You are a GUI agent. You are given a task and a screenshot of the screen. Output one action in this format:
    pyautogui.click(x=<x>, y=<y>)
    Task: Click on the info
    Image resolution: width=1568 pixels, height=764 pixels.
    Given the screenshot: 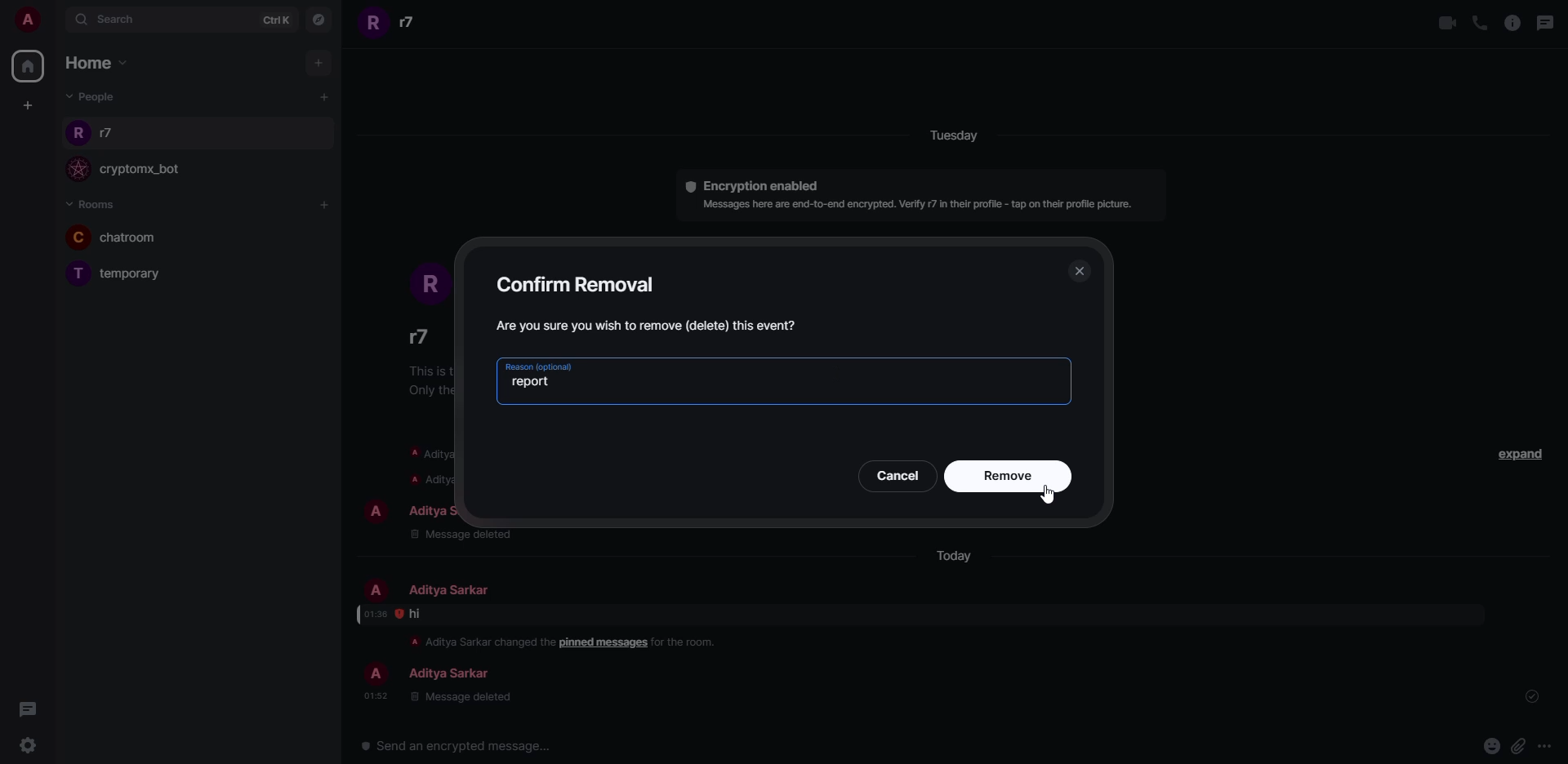 What is the action you would take?
    pyautogui.click(x=920, y=205)
    